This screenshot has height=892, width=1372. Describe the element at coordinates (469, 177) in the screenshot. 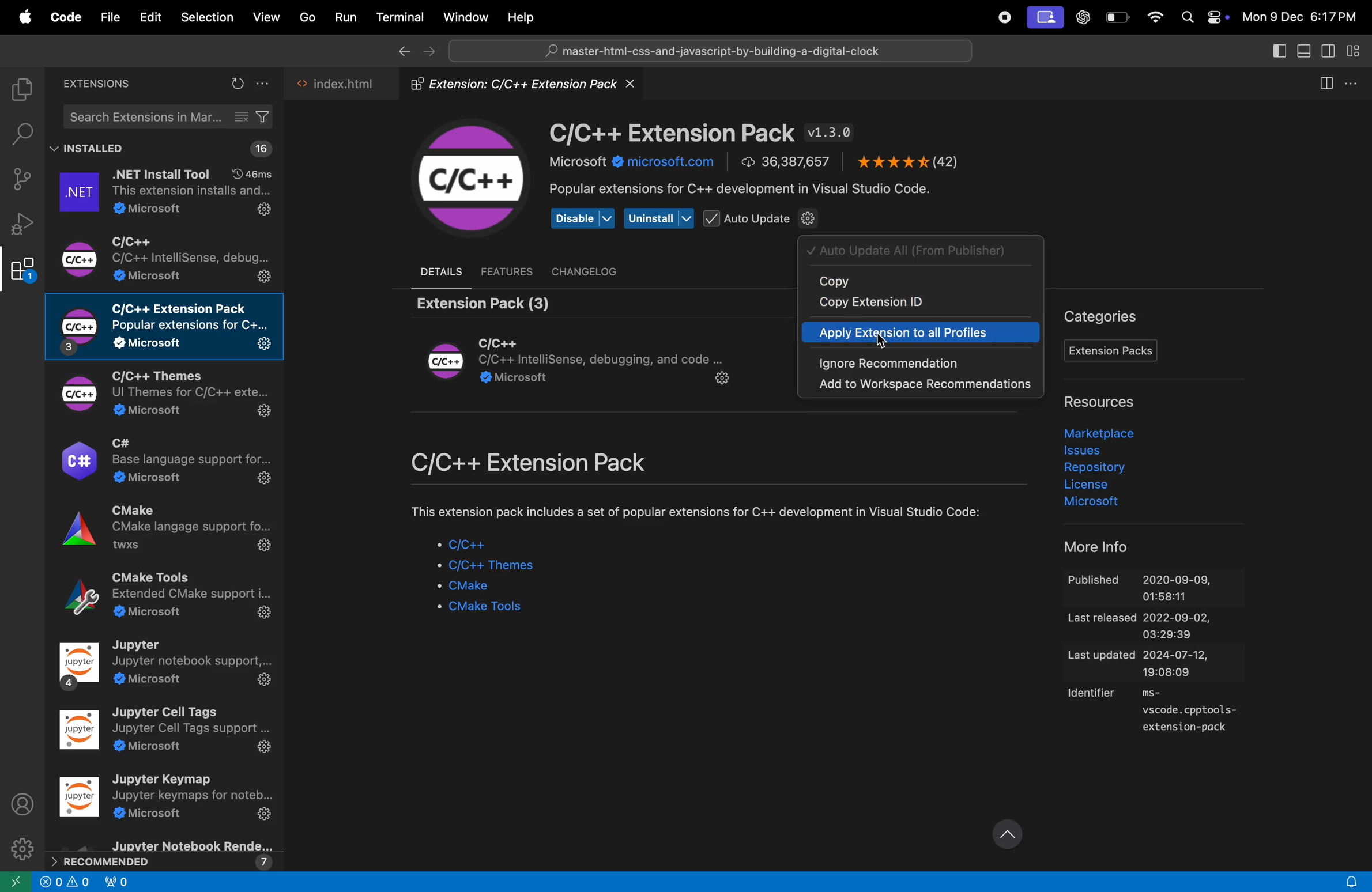

I see `C/C++ ` at that location.